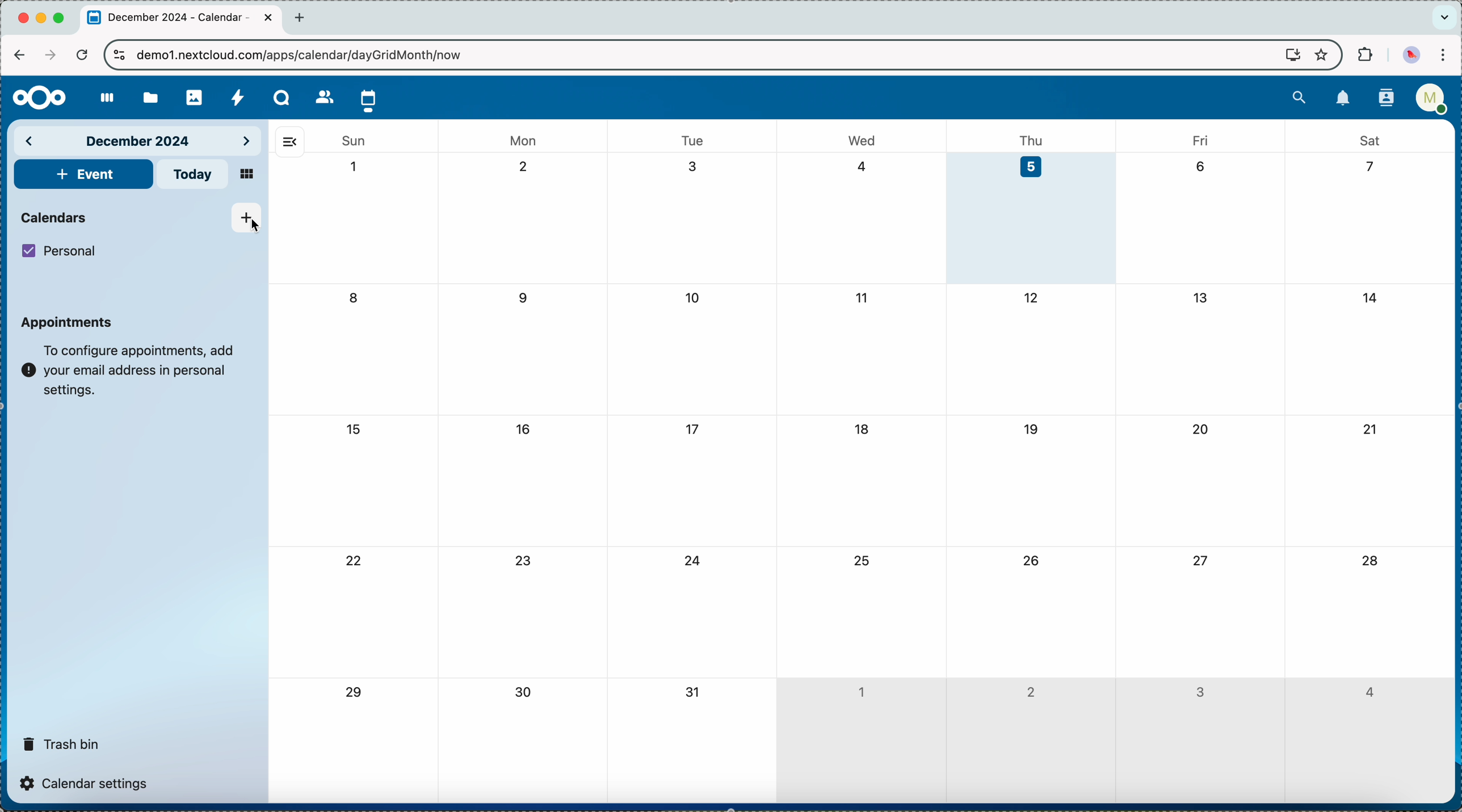 Image resolution: width=1462 pixels, height=812 pixels. What do you see at coordinates (1431, 102) in the screenshot?
I see `user profile` at bounding box center [1431, 102].